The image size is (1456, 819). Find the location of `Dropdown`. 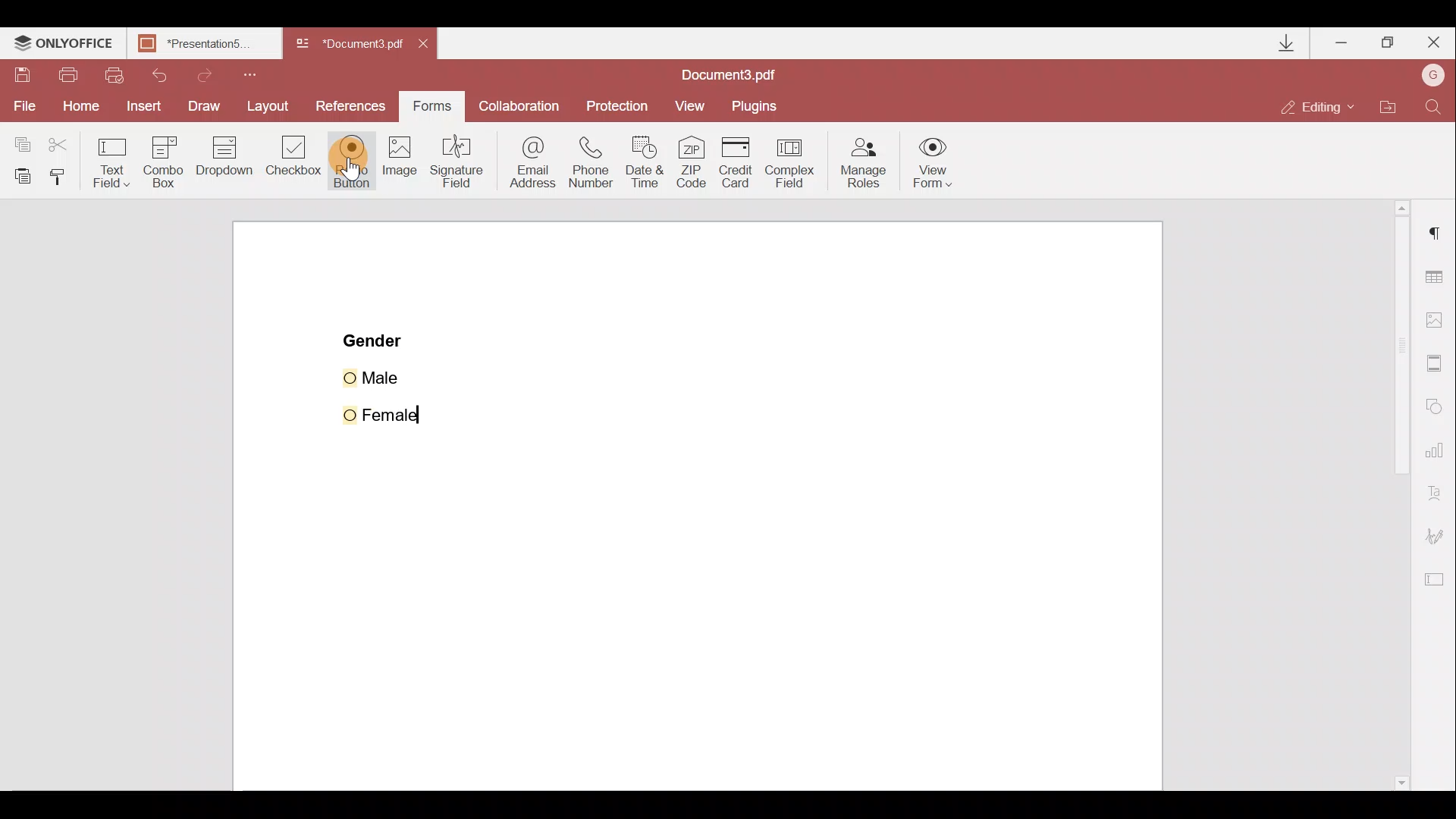

Dropdown is located at coordinates (224, 163).